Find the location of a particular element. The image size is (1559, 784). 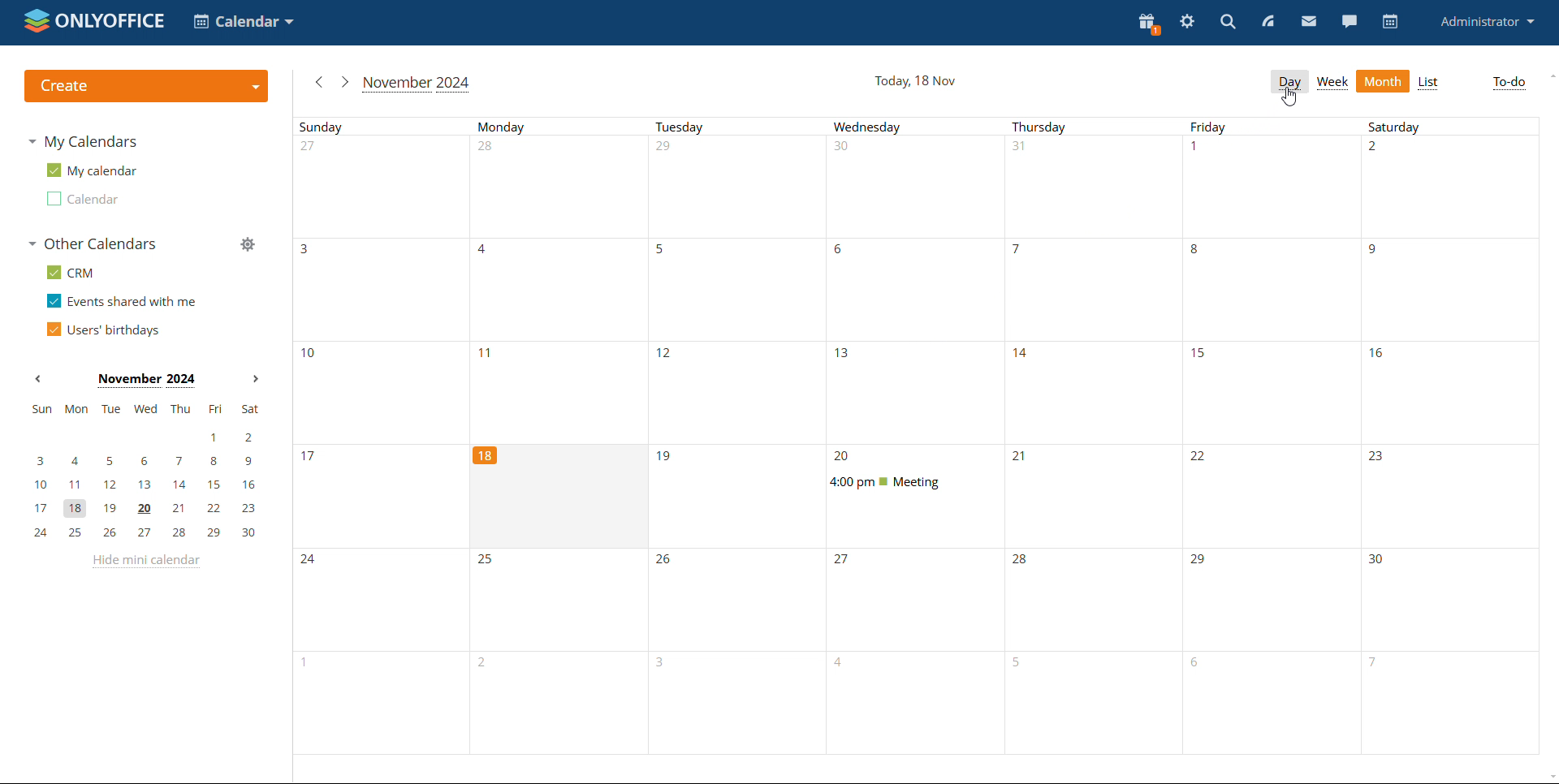

cell for current date is located at coordinates (563, 498).